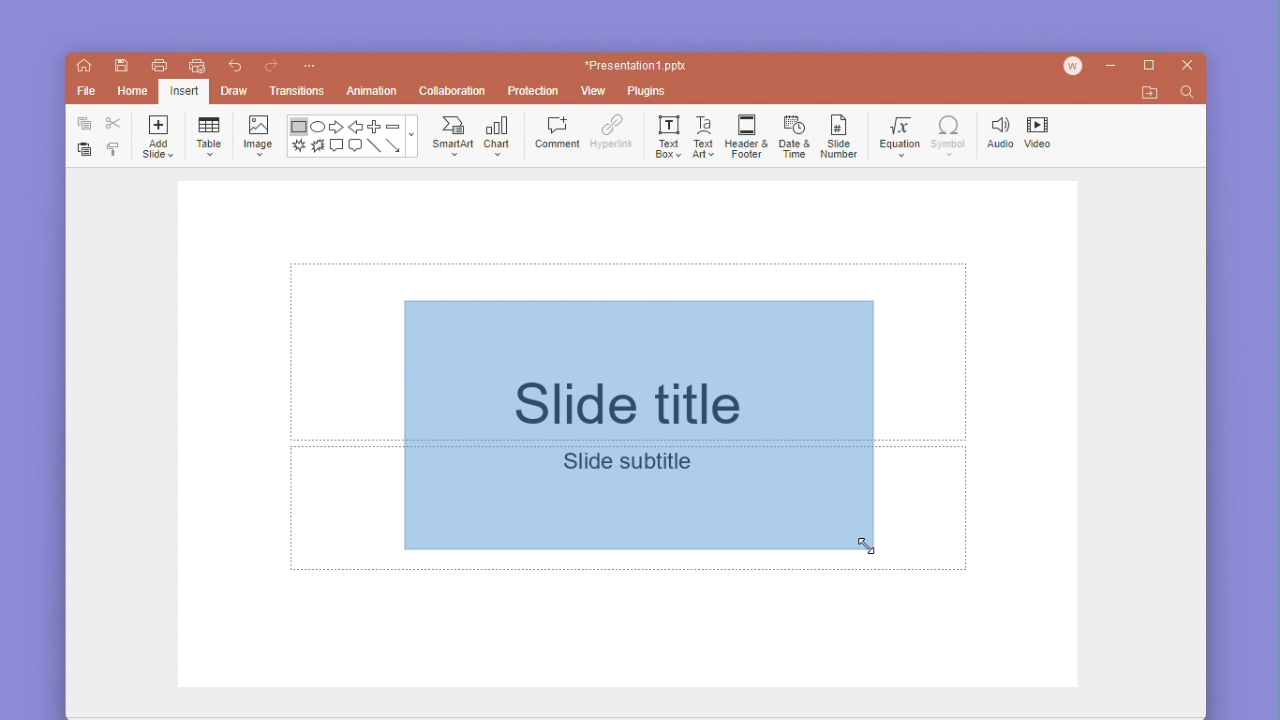 This screenshot has height=720, width=1280. What do you see at coordinates (354, 125) in the screenshot?
I see `back arrow` at bounding box center [354, 125].